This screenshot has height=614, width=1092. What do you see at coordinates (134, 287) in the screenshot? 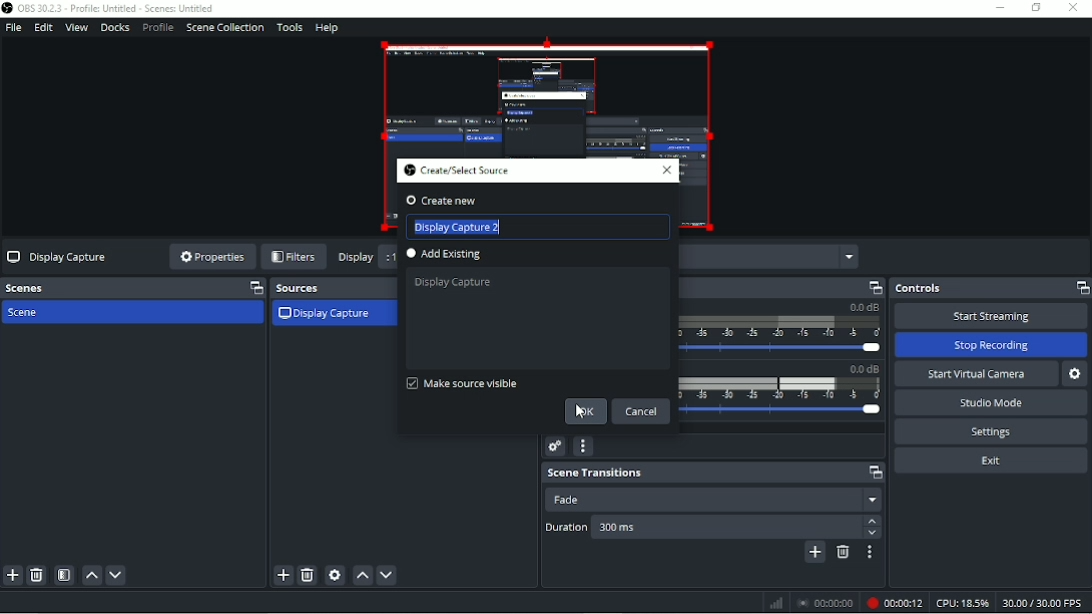
I see `Scenes` at bounding box center [134, 287].